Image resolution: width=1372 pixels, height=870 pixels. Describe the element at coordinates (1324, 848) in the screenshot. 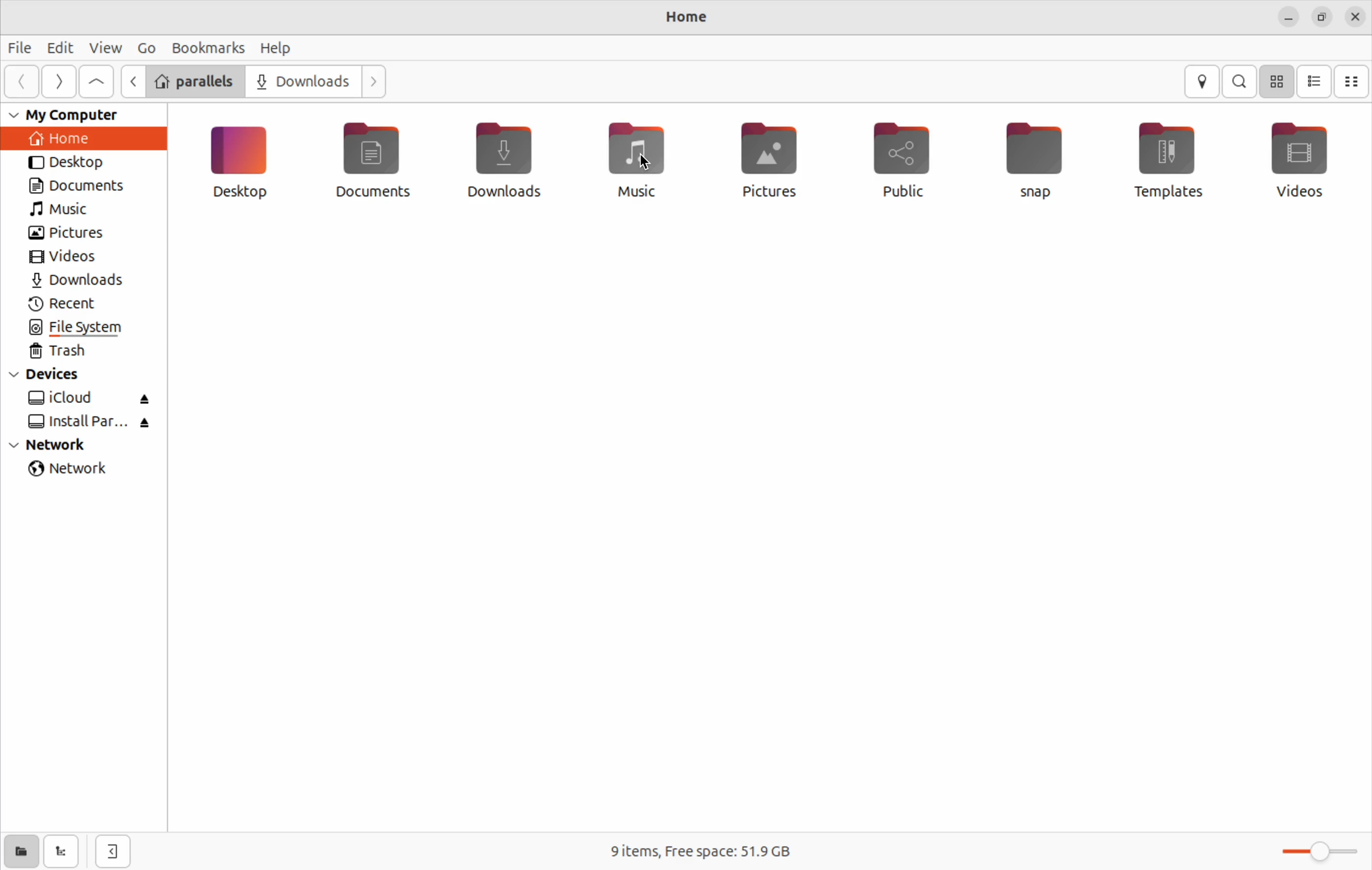

I see `Toggle zoom` at that location.